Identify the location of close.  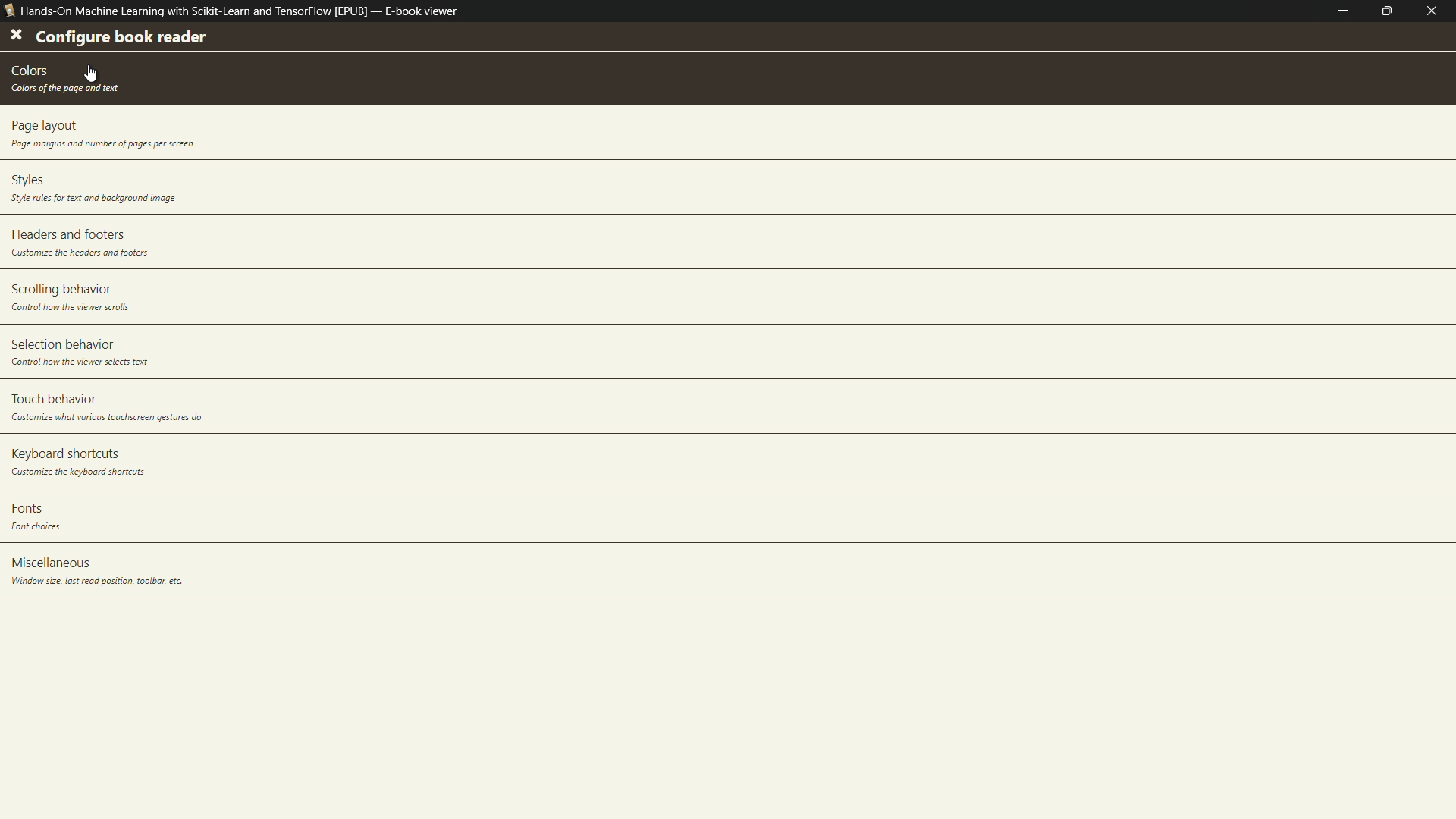
(15, 36).